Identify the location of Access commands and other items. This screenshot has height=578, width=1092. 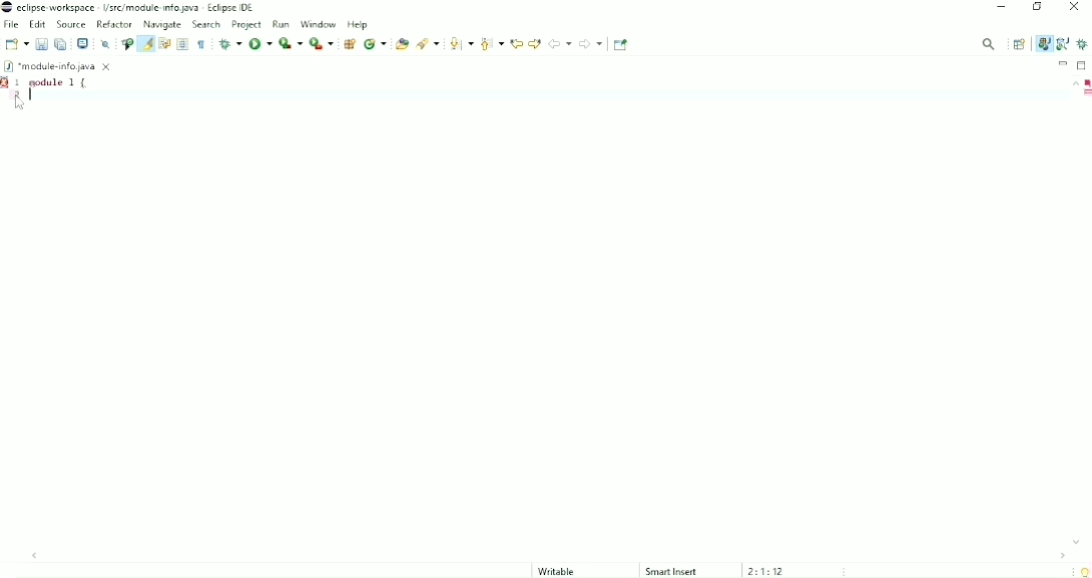
(989, 43).